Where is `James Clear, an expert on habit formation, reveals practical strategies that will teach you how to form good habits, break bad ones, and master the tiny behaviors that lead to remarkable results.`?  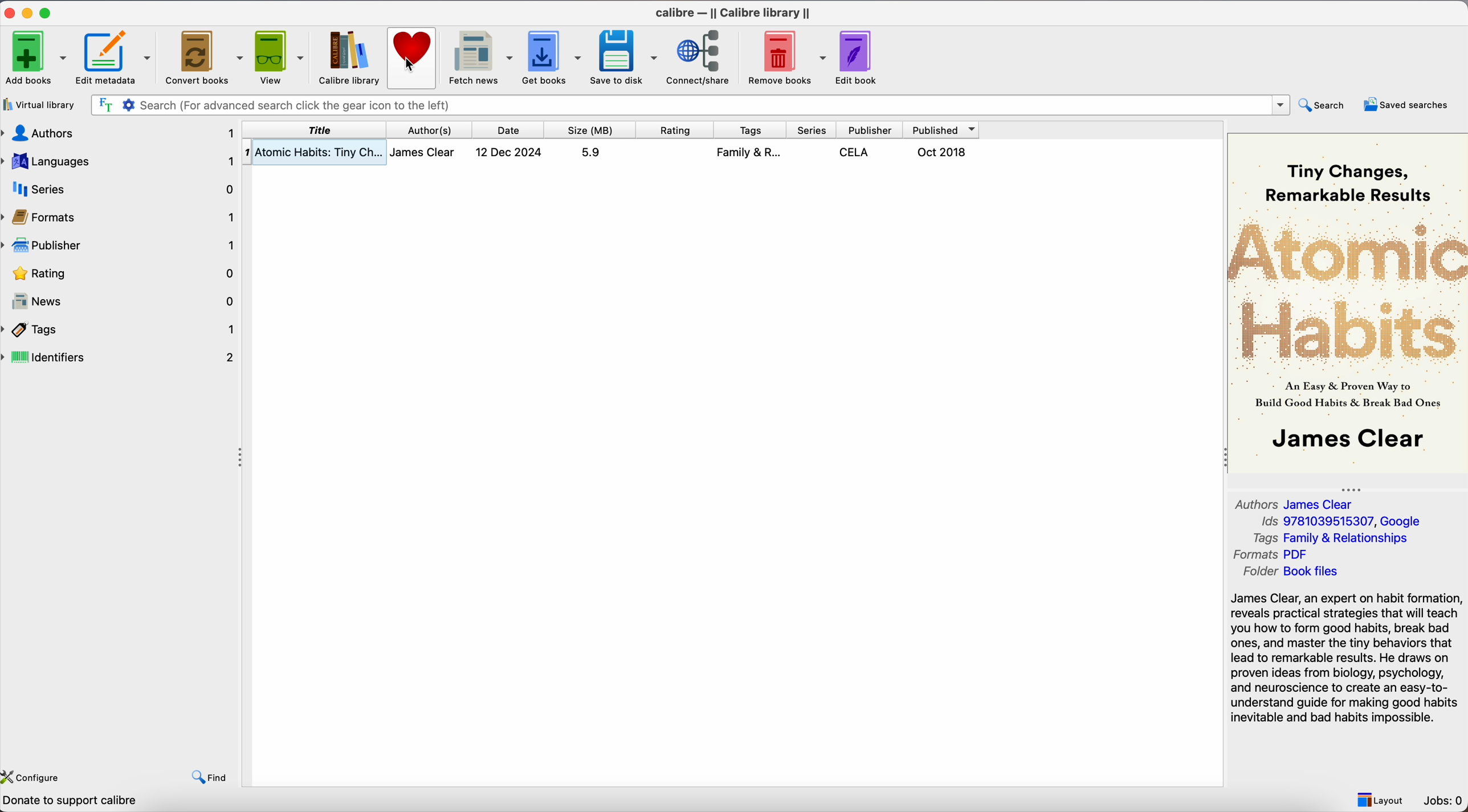 James Clear, an expert on habit formation, reveals practical strategies that will teach you how to form good habits, break bad ones, and master the tiny behaviors that lead to remarkable results. is located at coordinates (1347, 659).